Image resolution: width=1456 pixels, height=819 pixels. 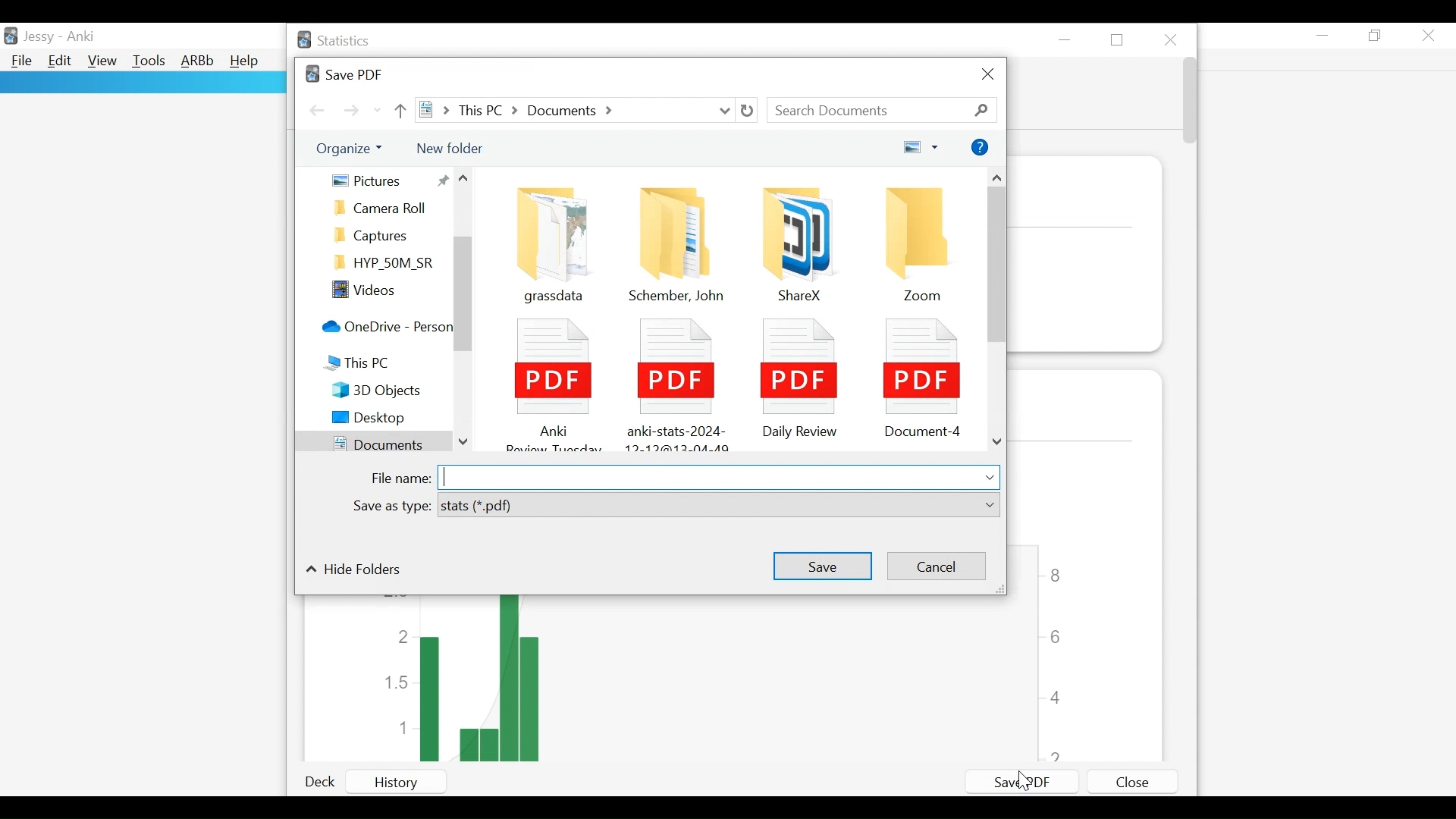 I want to click on Save PDF, so click(x=343, y=73).